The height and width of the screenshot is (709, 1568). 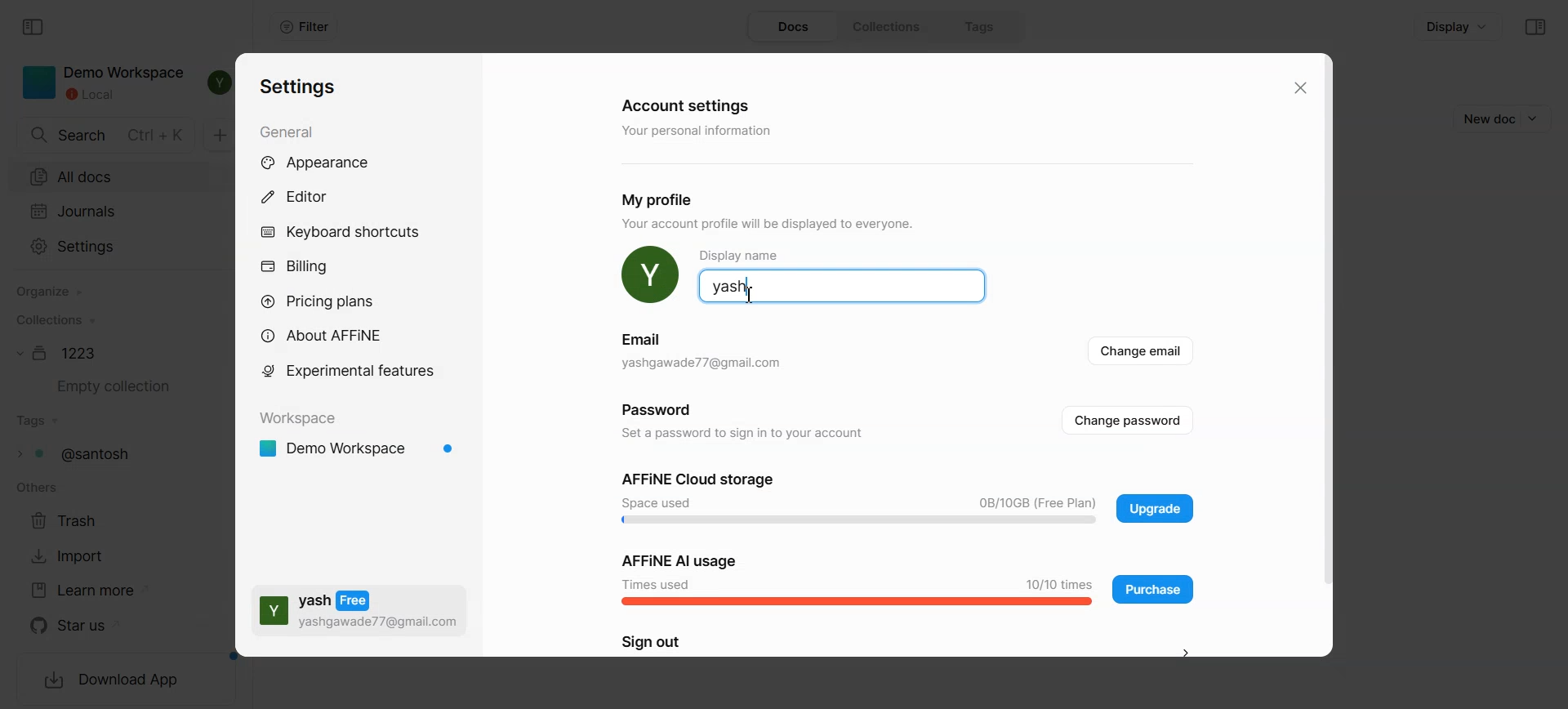 What do you see at coordinates (777, 225) in the screenshot?
I see `YOUr account proftie will be displayed 1o everyone.` at bounding box center [777, 225].